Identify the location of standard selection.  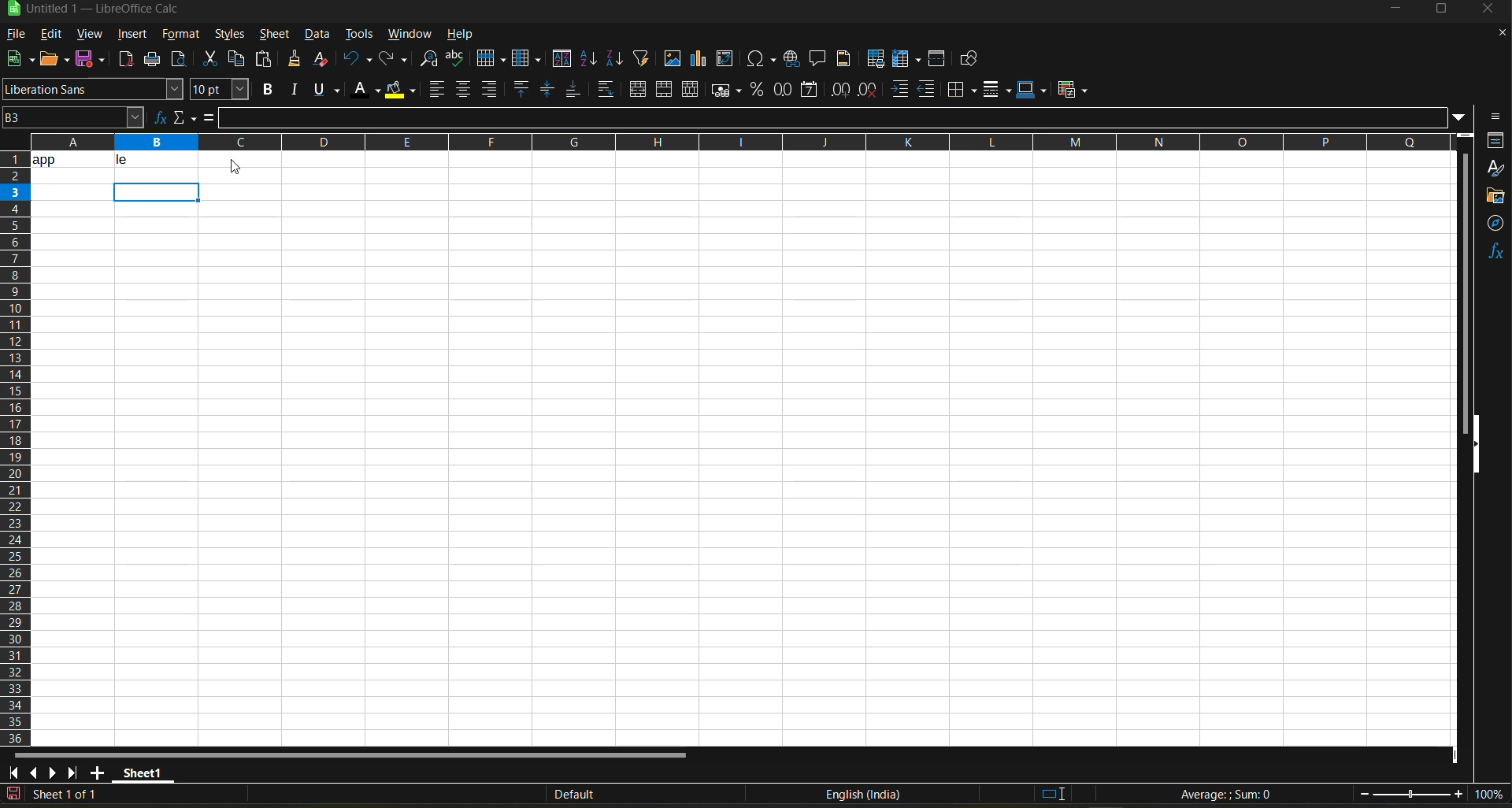
(1053, 793).